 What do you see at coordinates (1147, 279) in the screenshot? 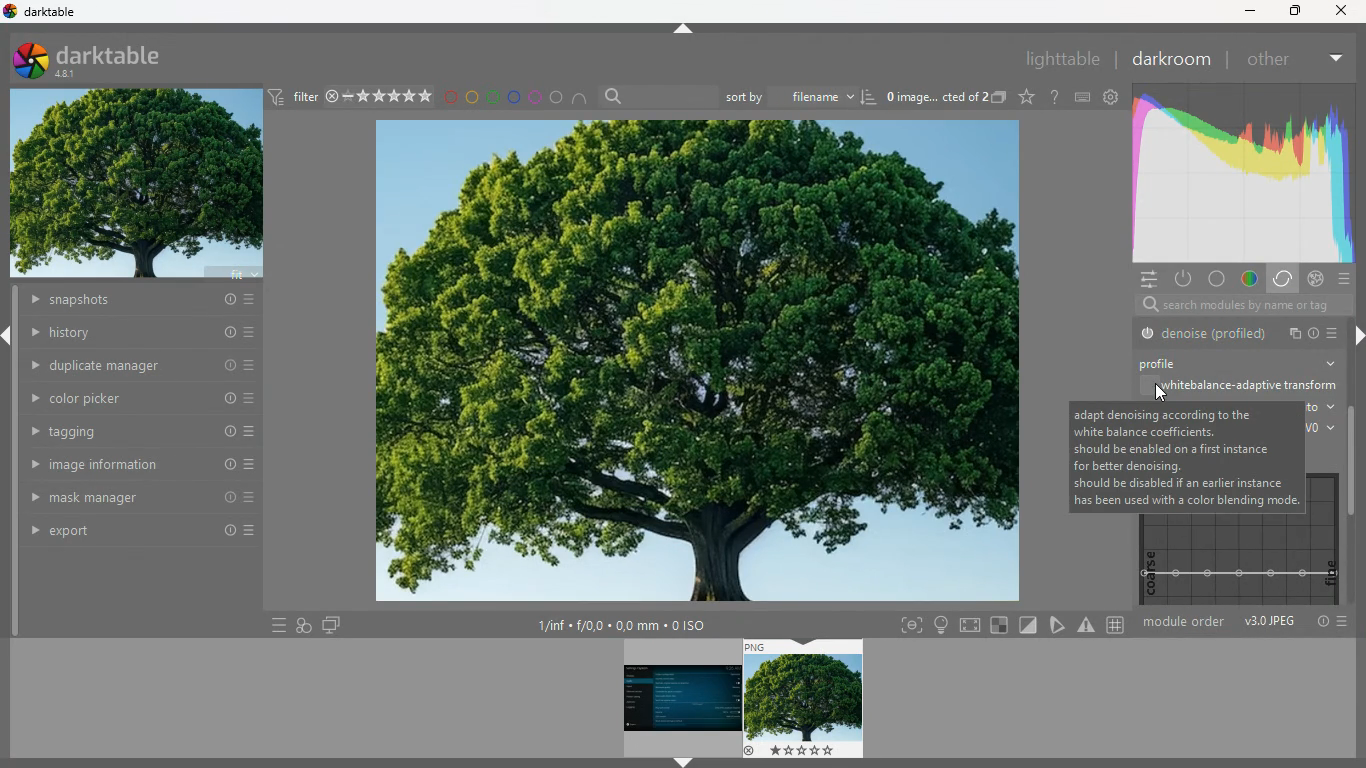
I see `settings` at bounding box center [1147, 279].